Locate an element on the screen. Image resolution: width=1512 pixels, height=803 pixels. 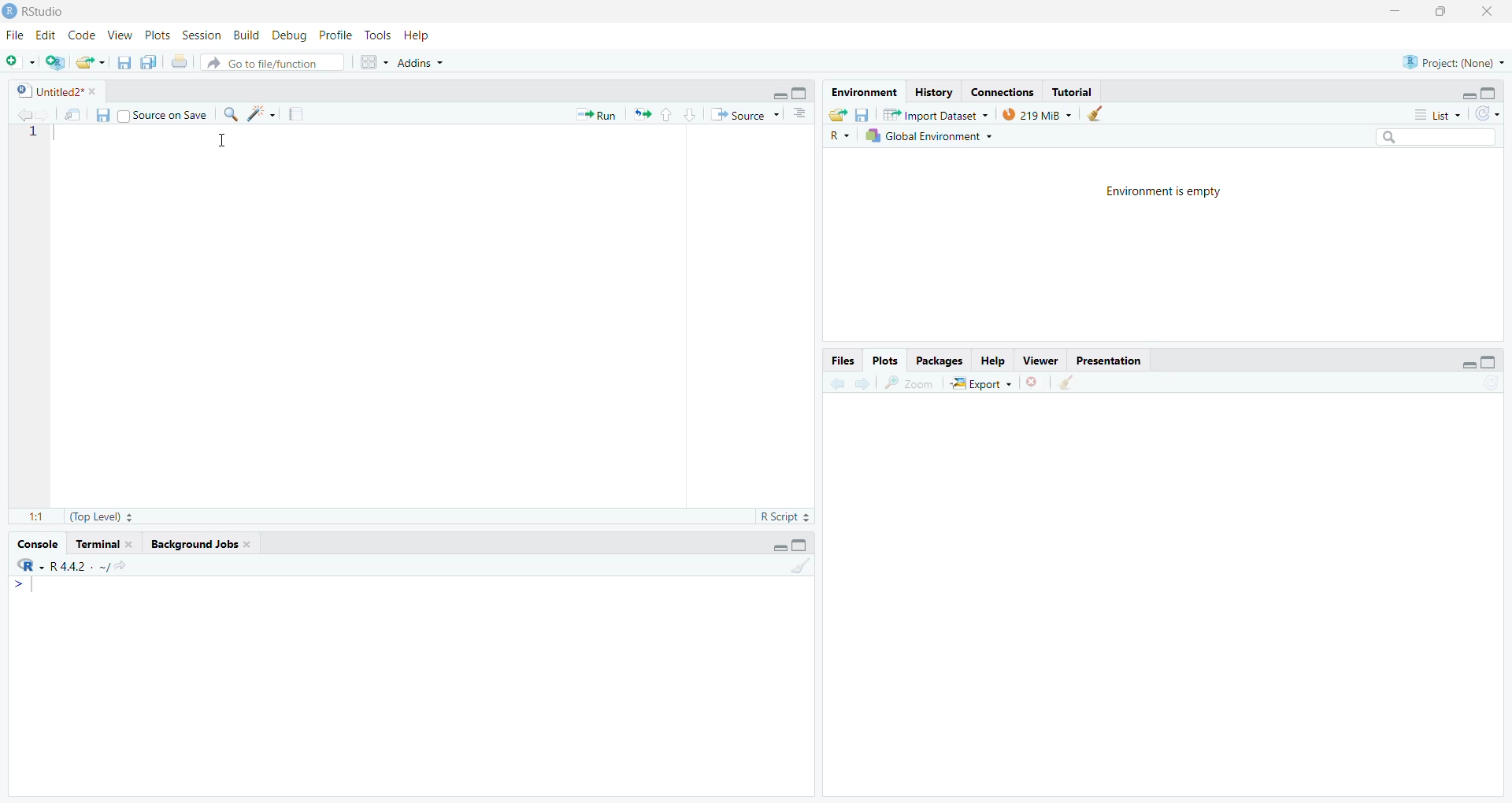
Export is located at coordinates (980, 383).